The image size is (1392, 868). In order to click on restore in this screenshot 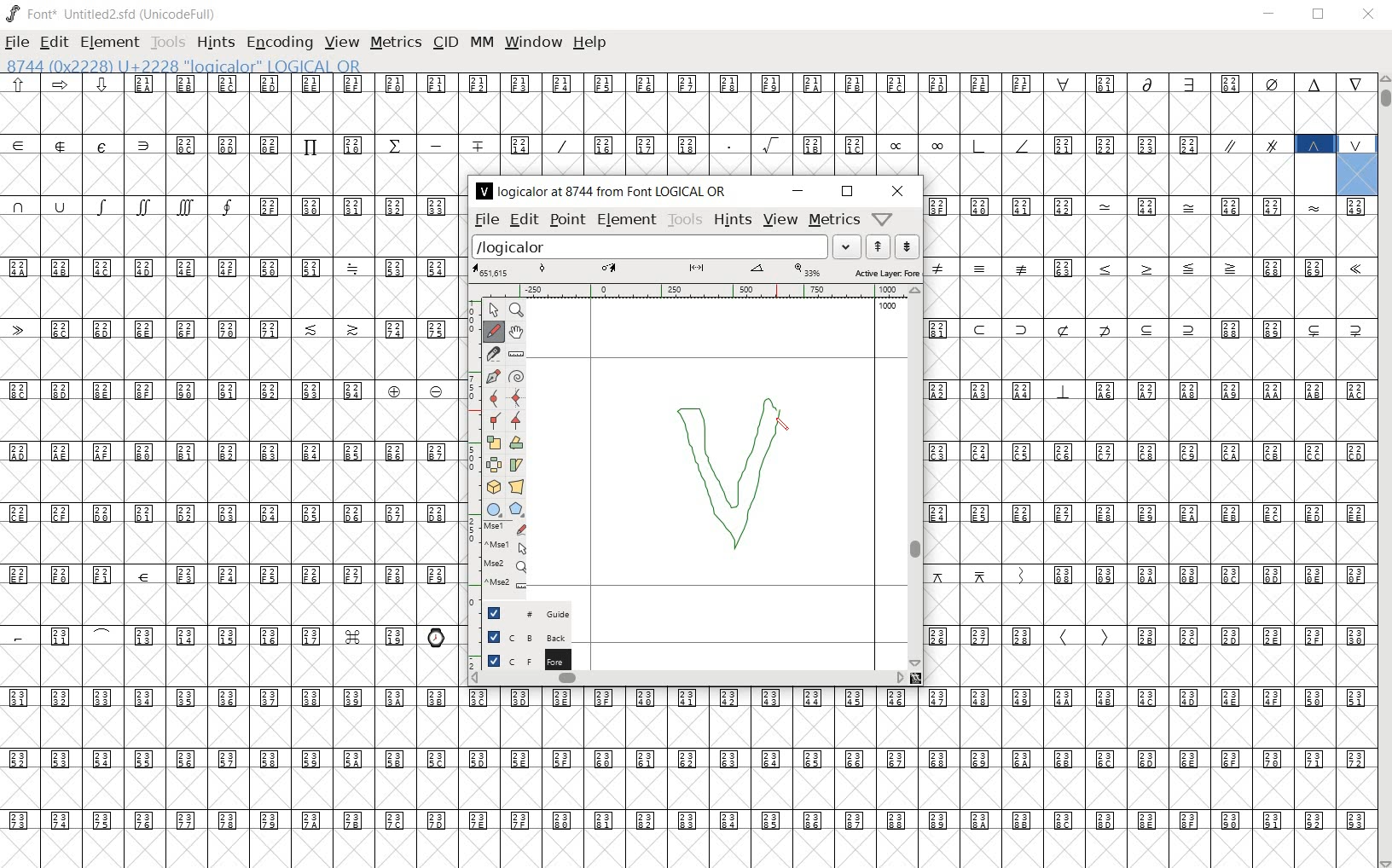, I will do `click(847, 192)`.